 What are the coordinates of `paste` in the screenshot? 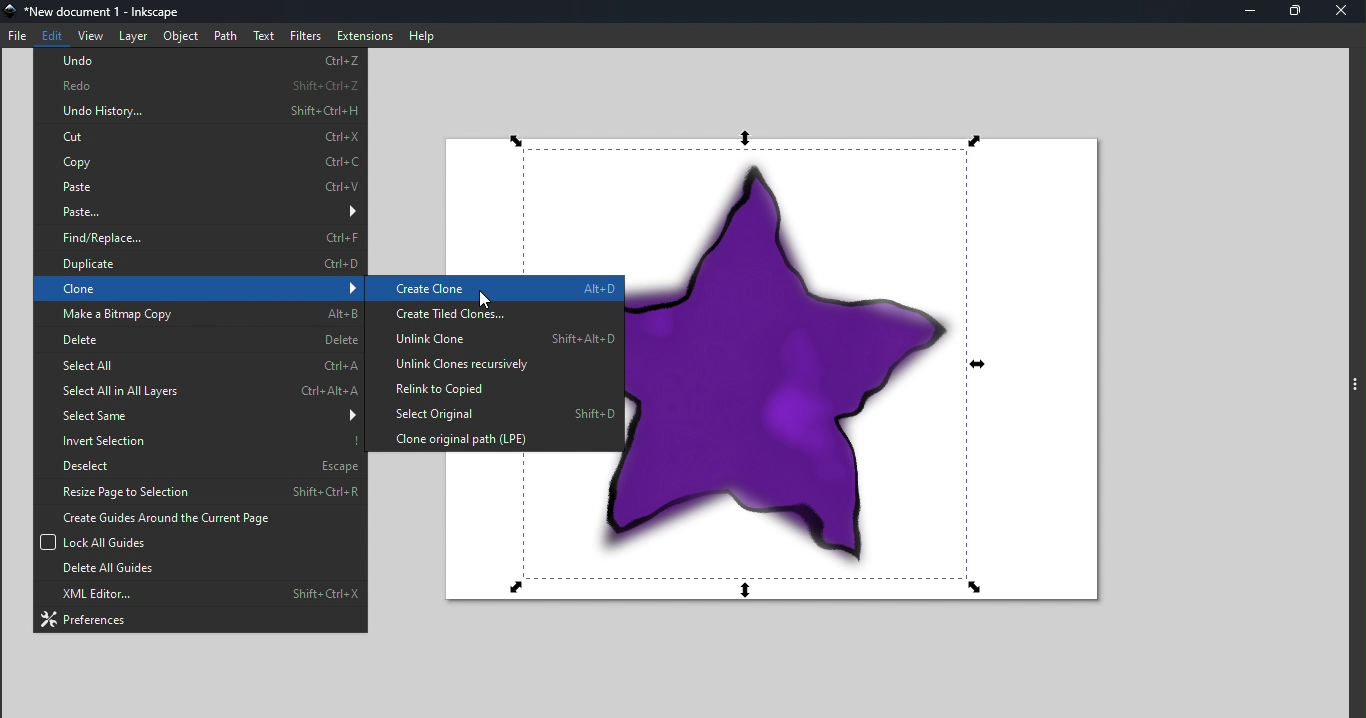 It's located at (199, 186).